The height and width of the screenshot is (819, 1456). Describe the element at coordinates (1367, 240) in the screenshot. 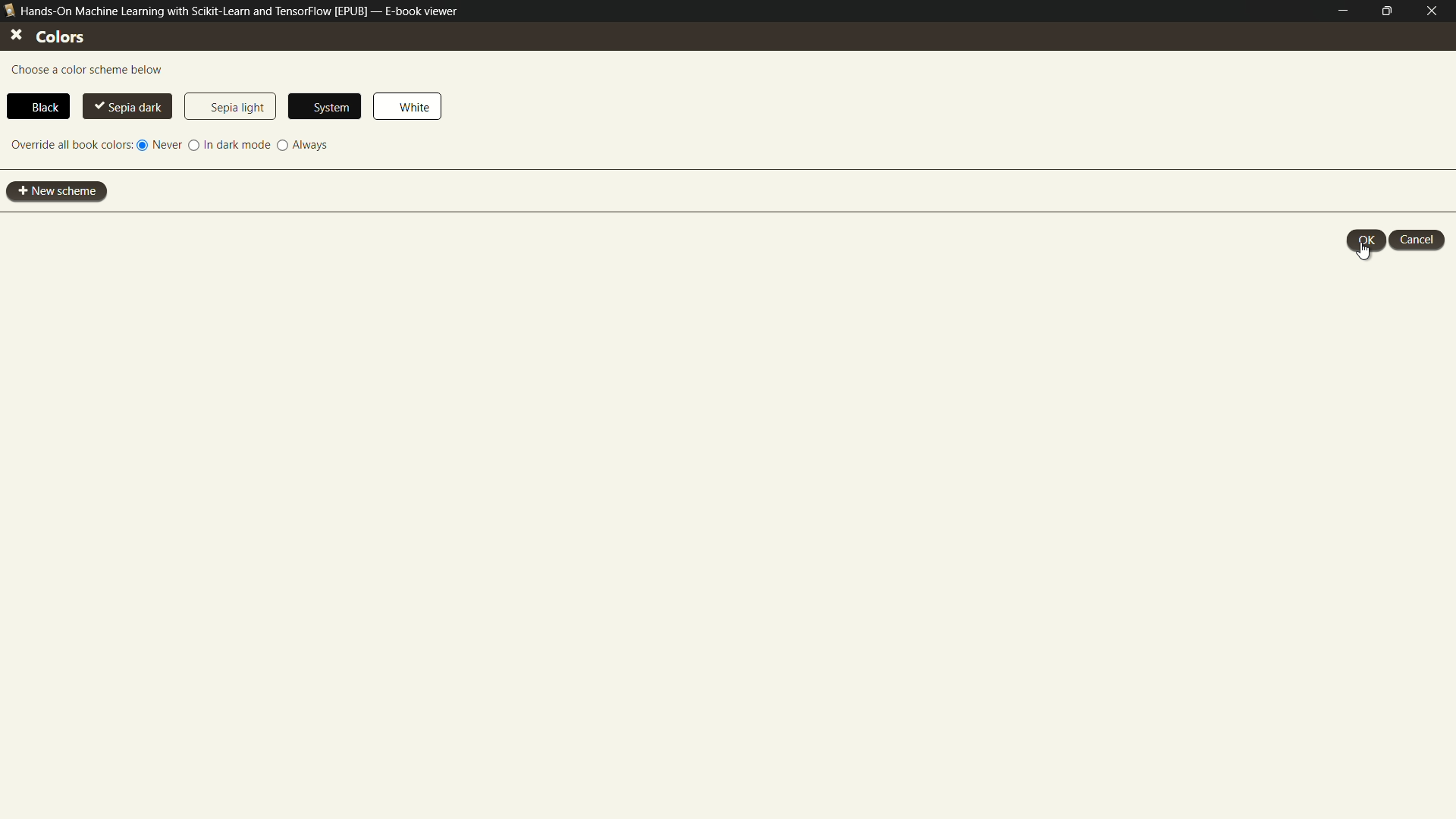

I see `ok` at that location.